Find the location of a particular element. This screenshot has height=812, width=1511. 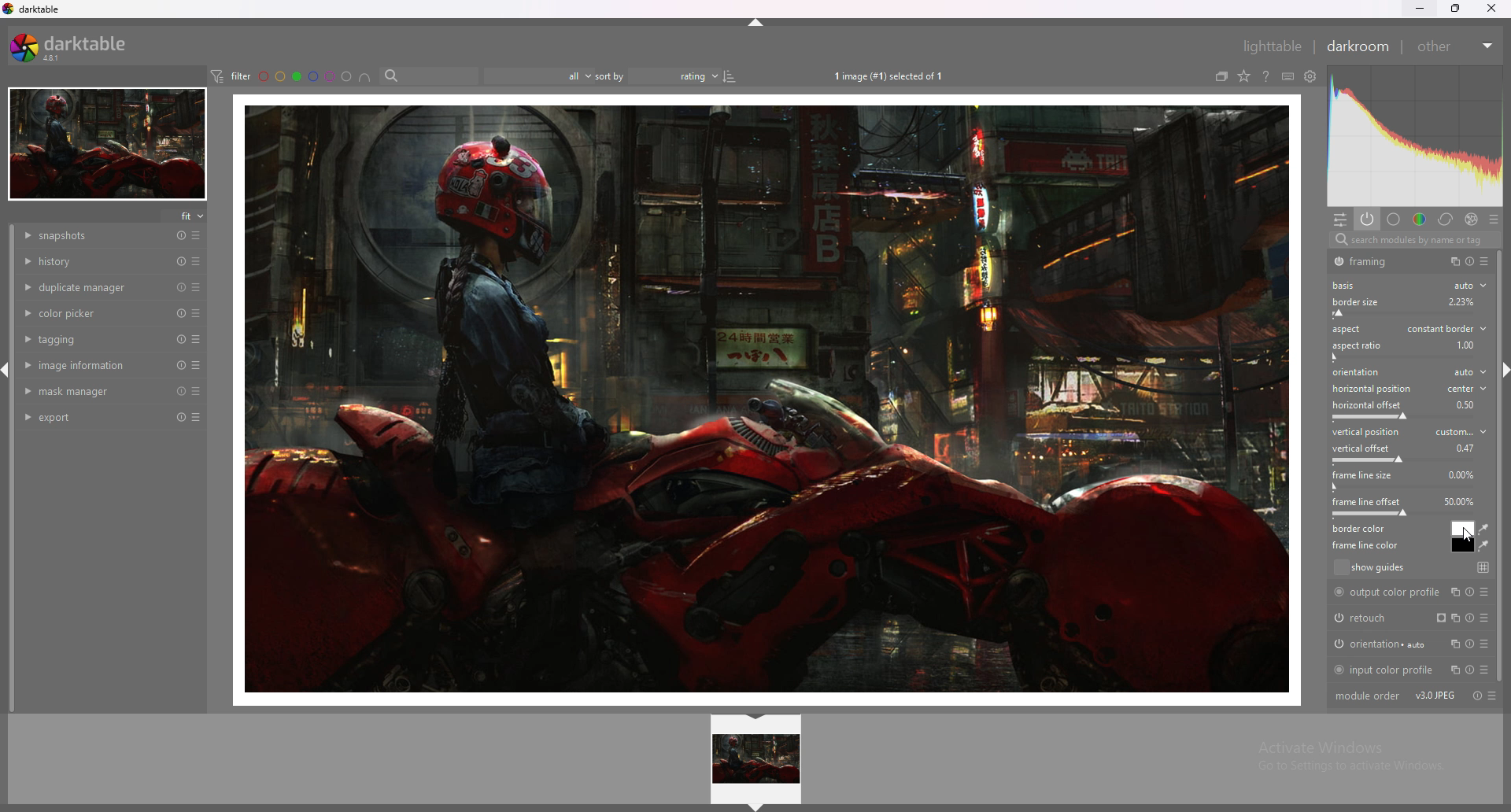

image preview is located at coordinates (757, 759).